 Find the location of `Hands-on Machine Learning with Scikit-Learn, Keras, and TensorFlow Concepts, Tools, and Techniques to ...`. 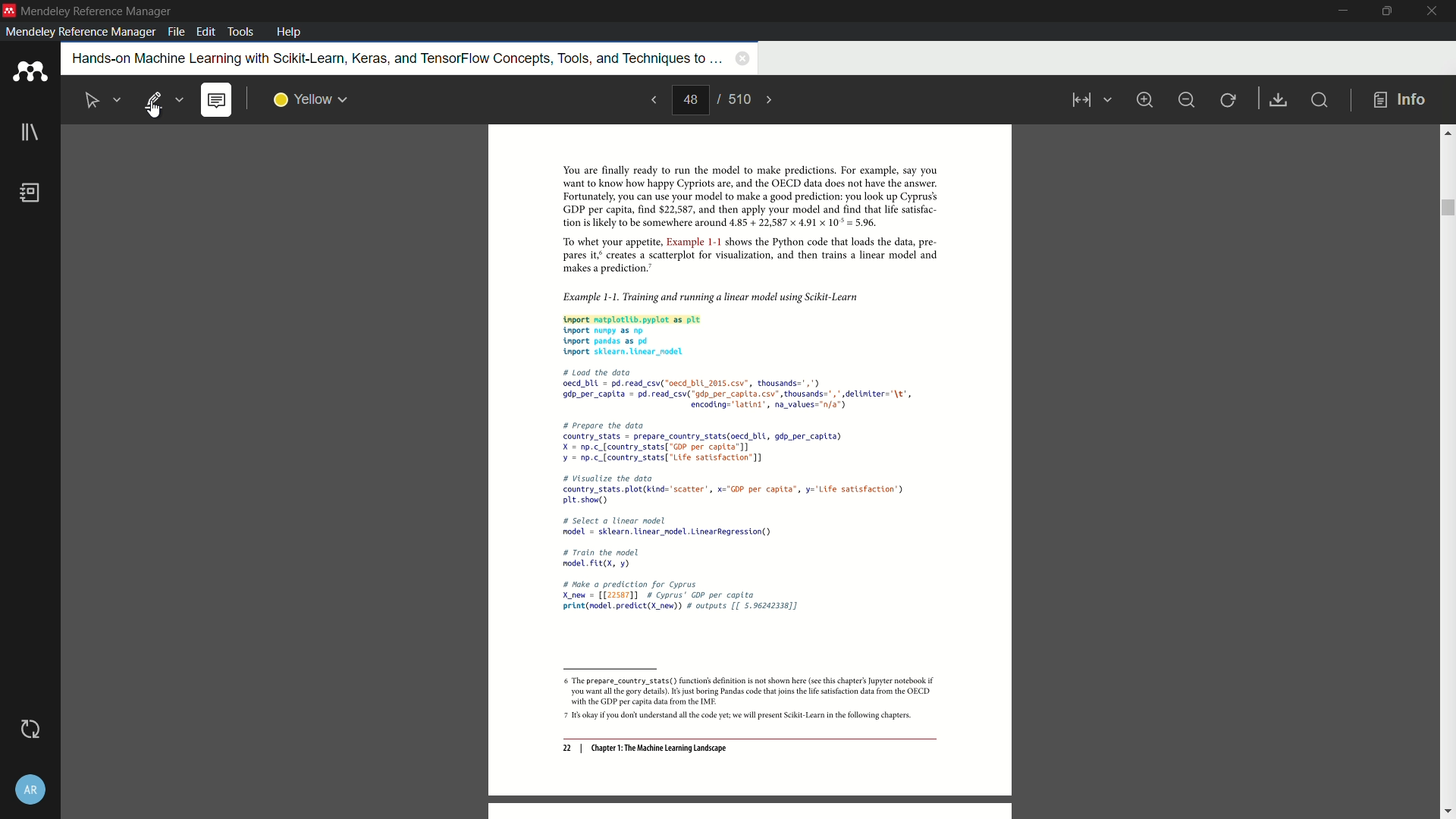

Hands-on Machine Learning with Scikit-Learn, Keras, and TensorFlow Concepts, Tools, and Techniques to ... is located at coordinates (395, 58).